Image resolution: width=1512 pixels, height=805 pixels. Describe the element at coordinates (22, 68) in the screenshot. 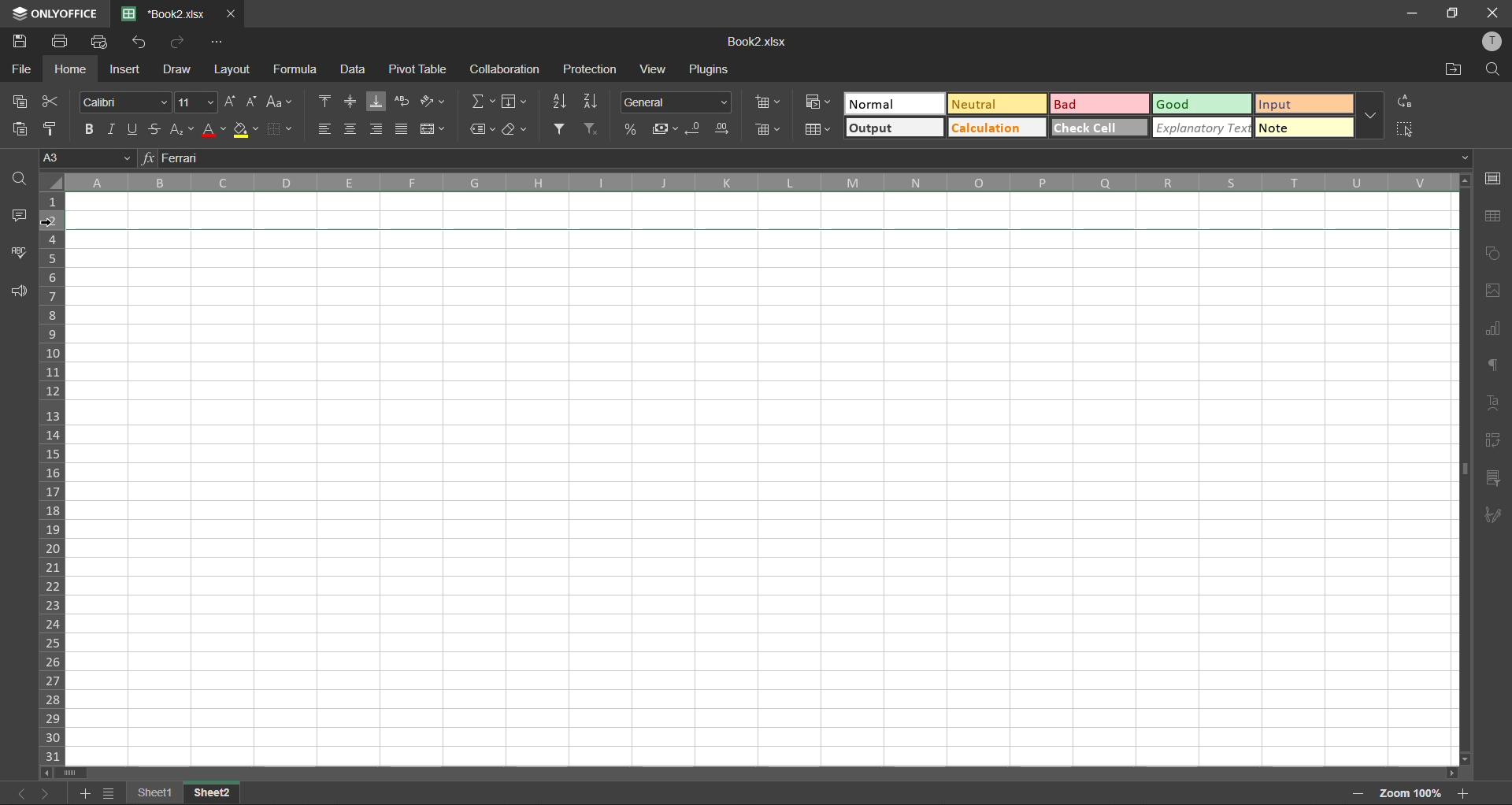

I see `file` at that location.